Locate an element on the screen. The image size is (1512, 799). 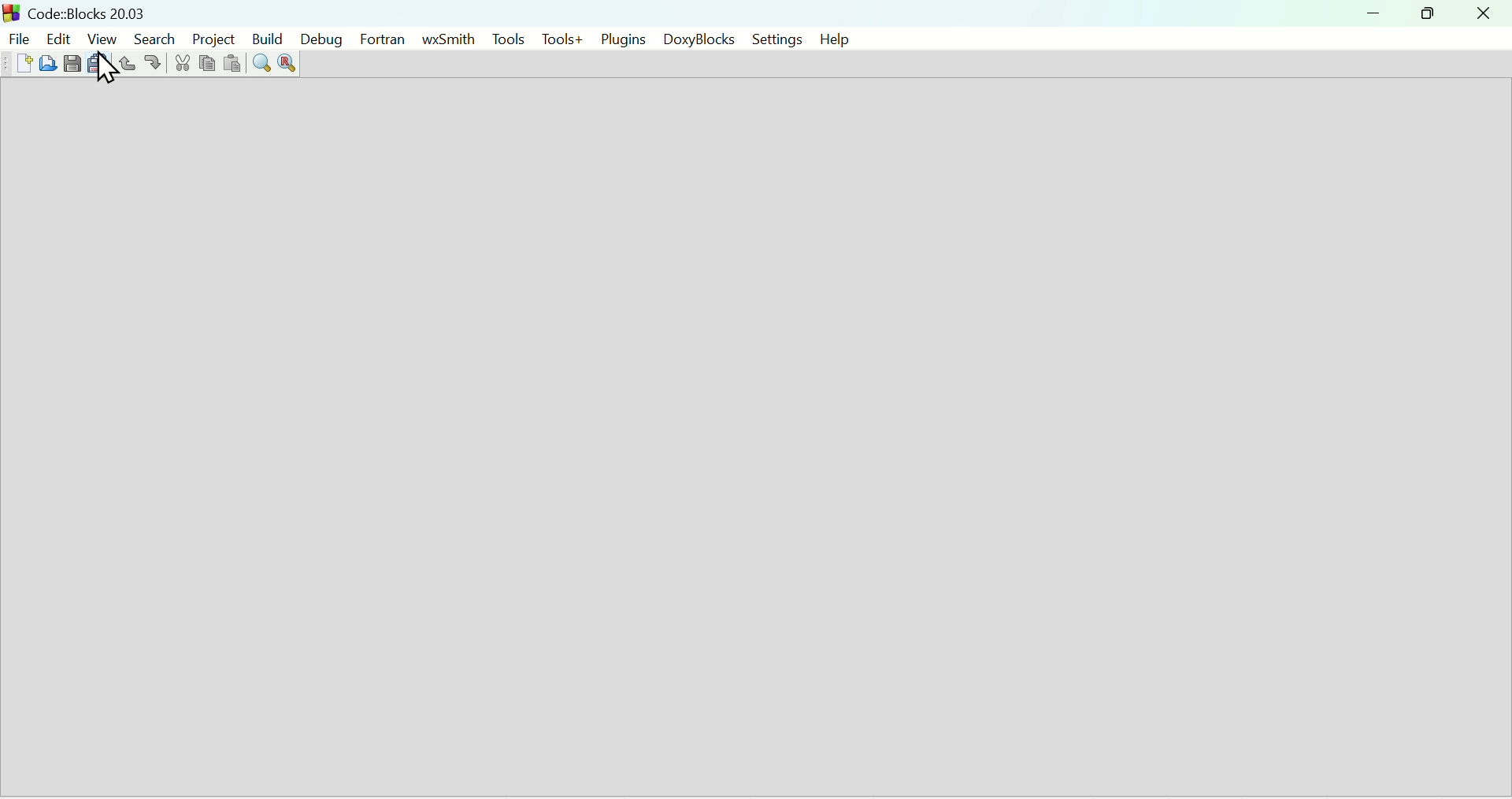
Search is located at coordinates (152, 38).